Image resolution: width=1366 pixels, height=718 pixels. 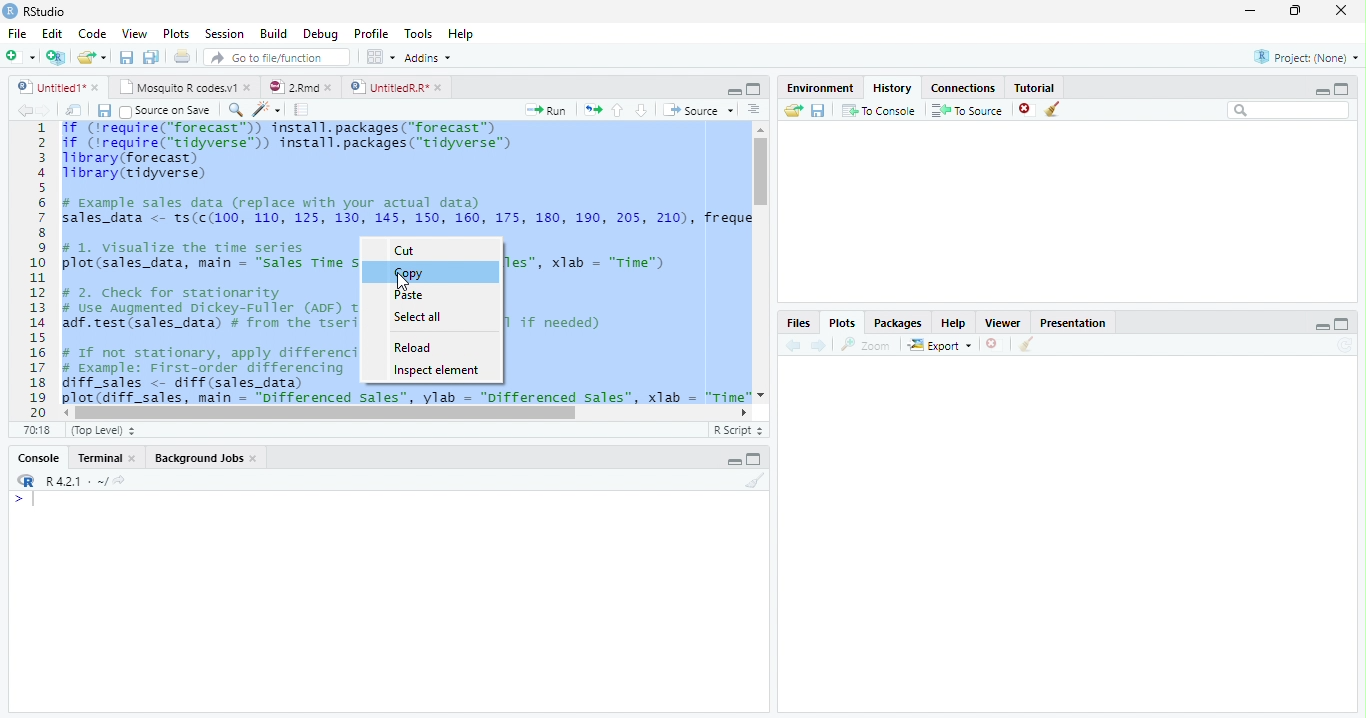 What do you see at coordinates (1342, 325) in the screenshot?
I see `Maximize` at bounding box center [1342, 325].